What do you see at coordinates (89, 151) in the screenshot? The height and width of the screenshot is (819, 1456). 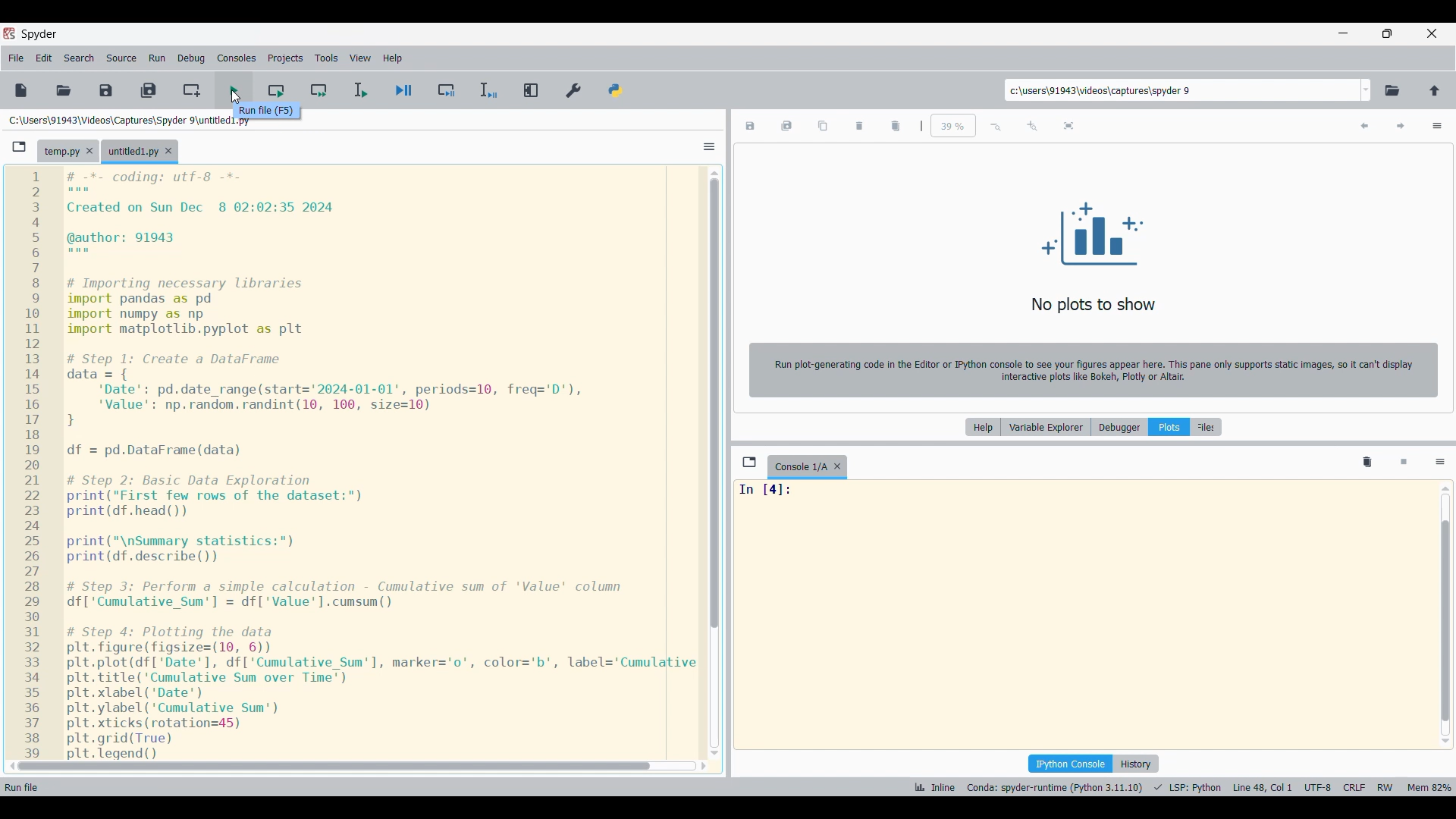 I see `Close` at bounding box center [89, 151].